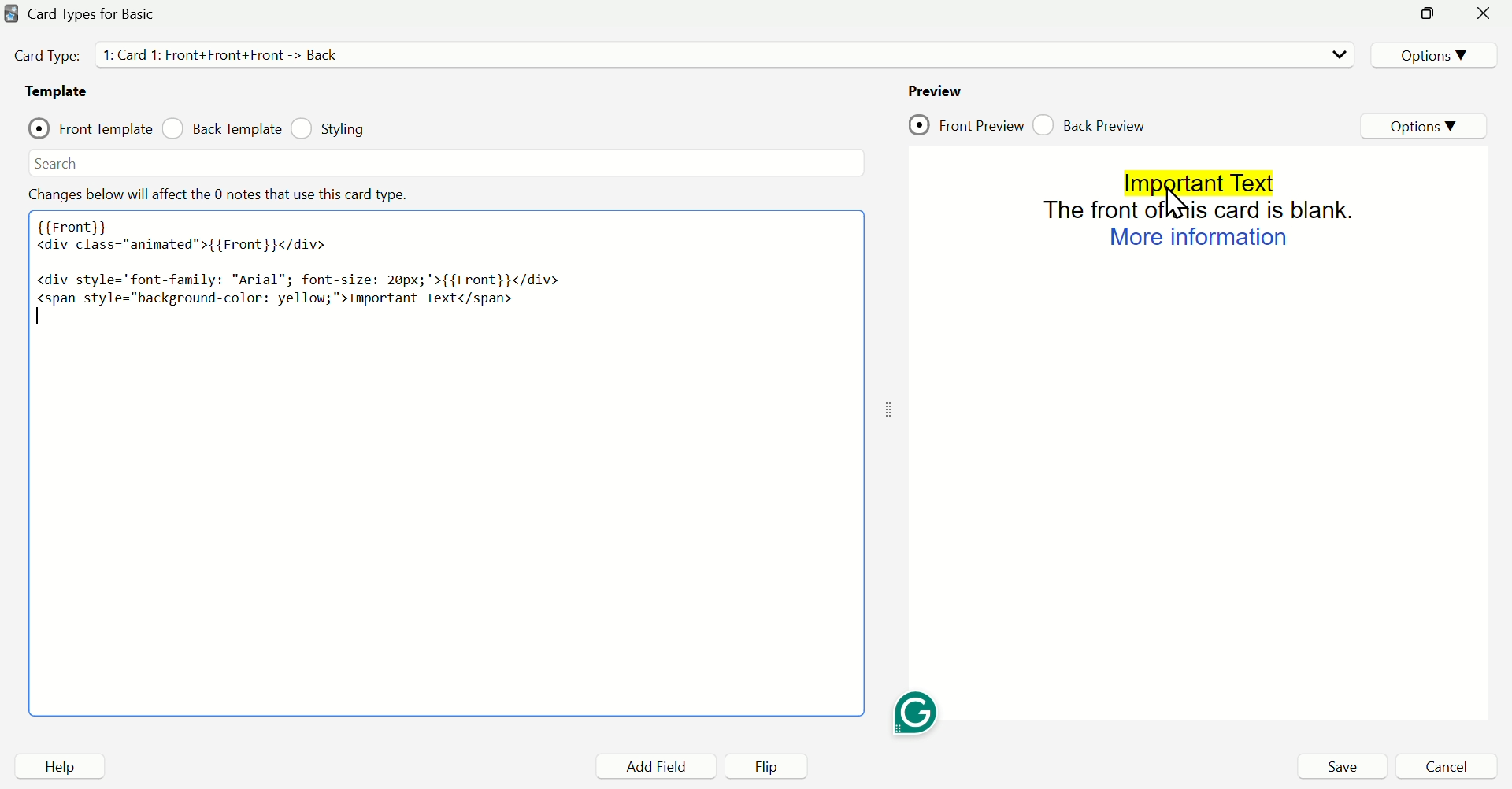 This screenshot has width=1512, height=789. Describe the element at coordinates (1441, 767) in the screenshot. I see `Cancel` at that location.